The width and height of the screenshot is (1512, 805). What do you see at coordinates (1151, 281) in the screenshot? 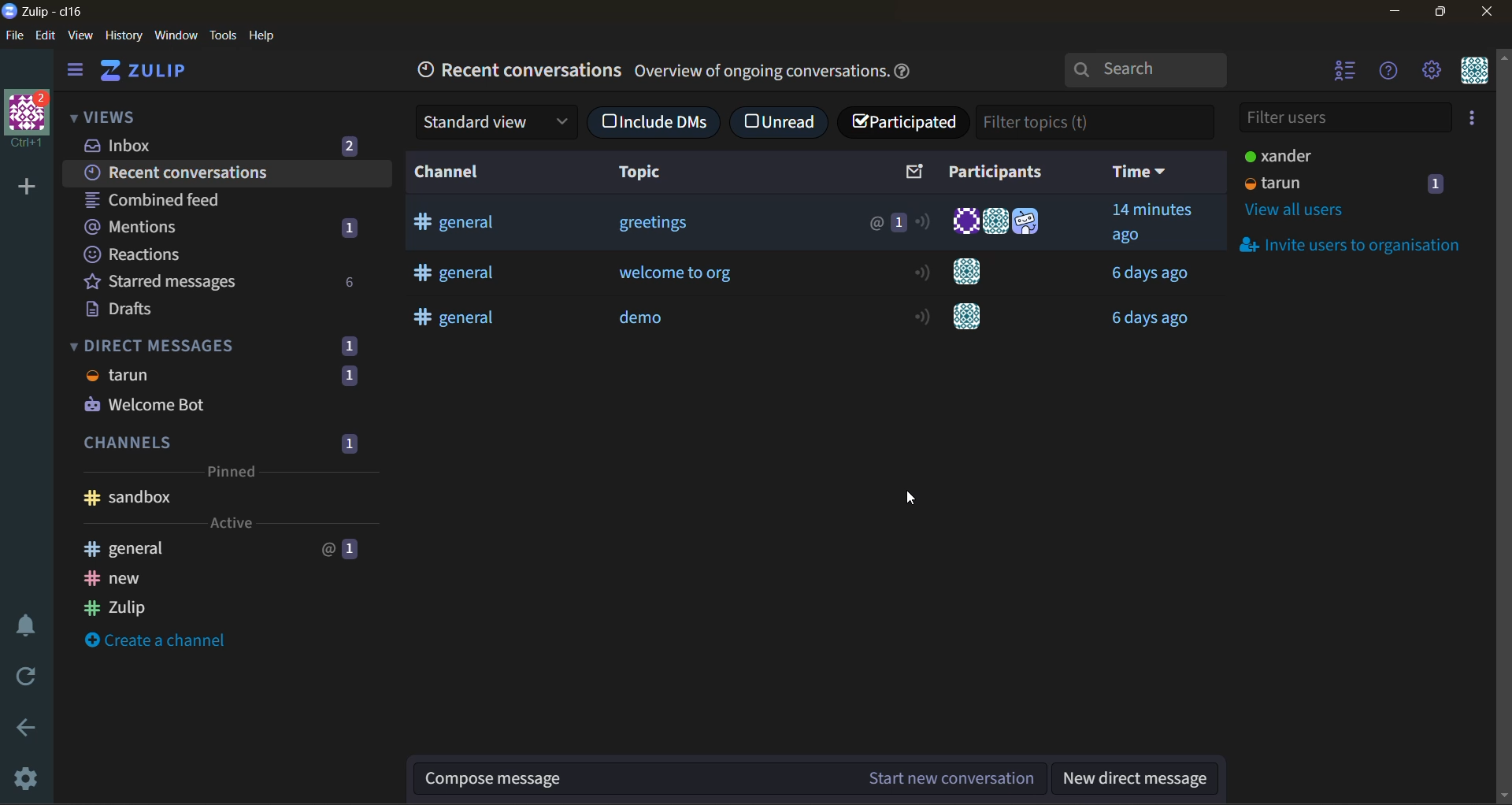
I see `time` at bounding box center [1151, 281].